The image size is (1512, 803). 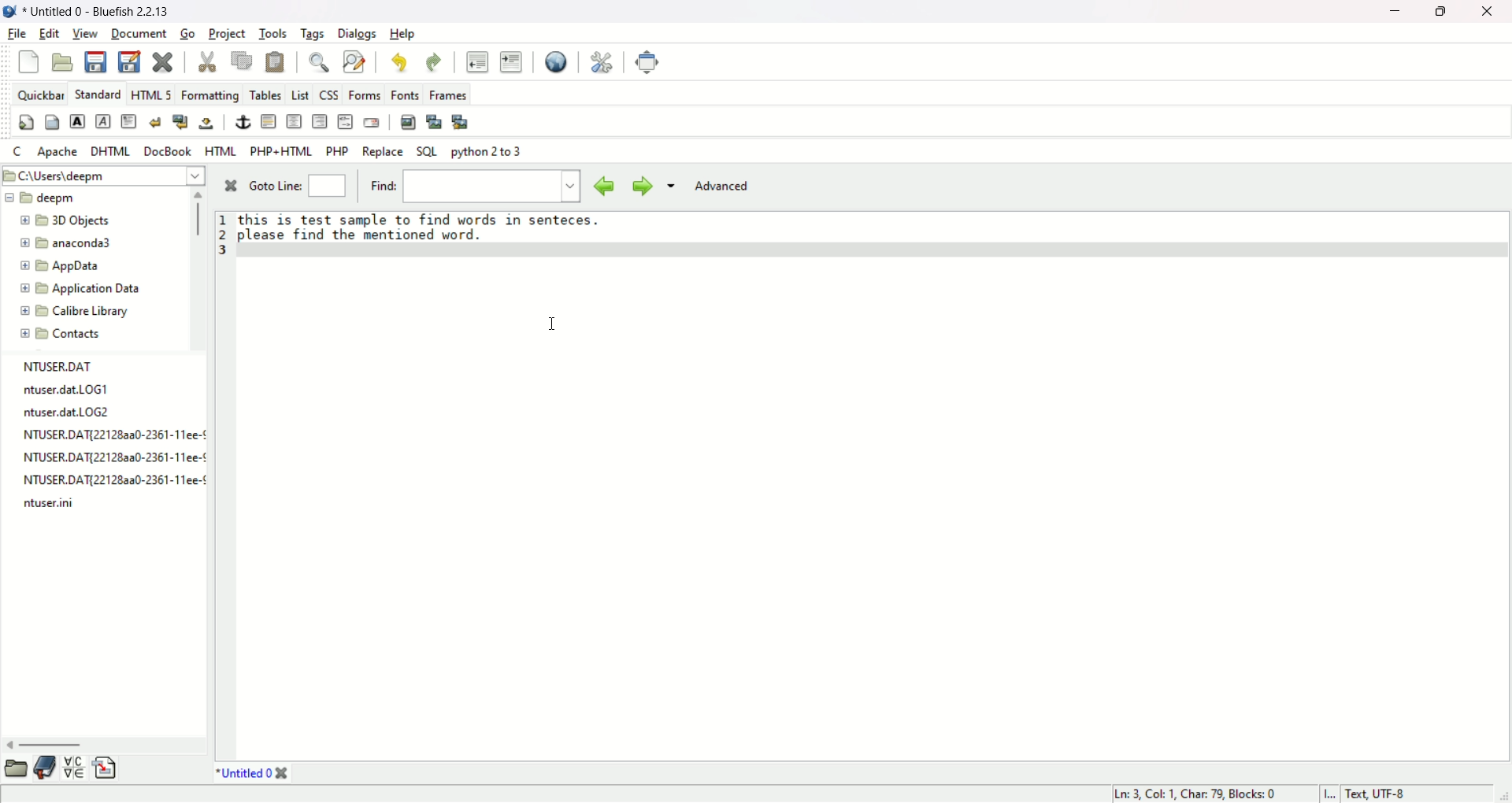 I want to click on close, so click(x=1492, y=13).